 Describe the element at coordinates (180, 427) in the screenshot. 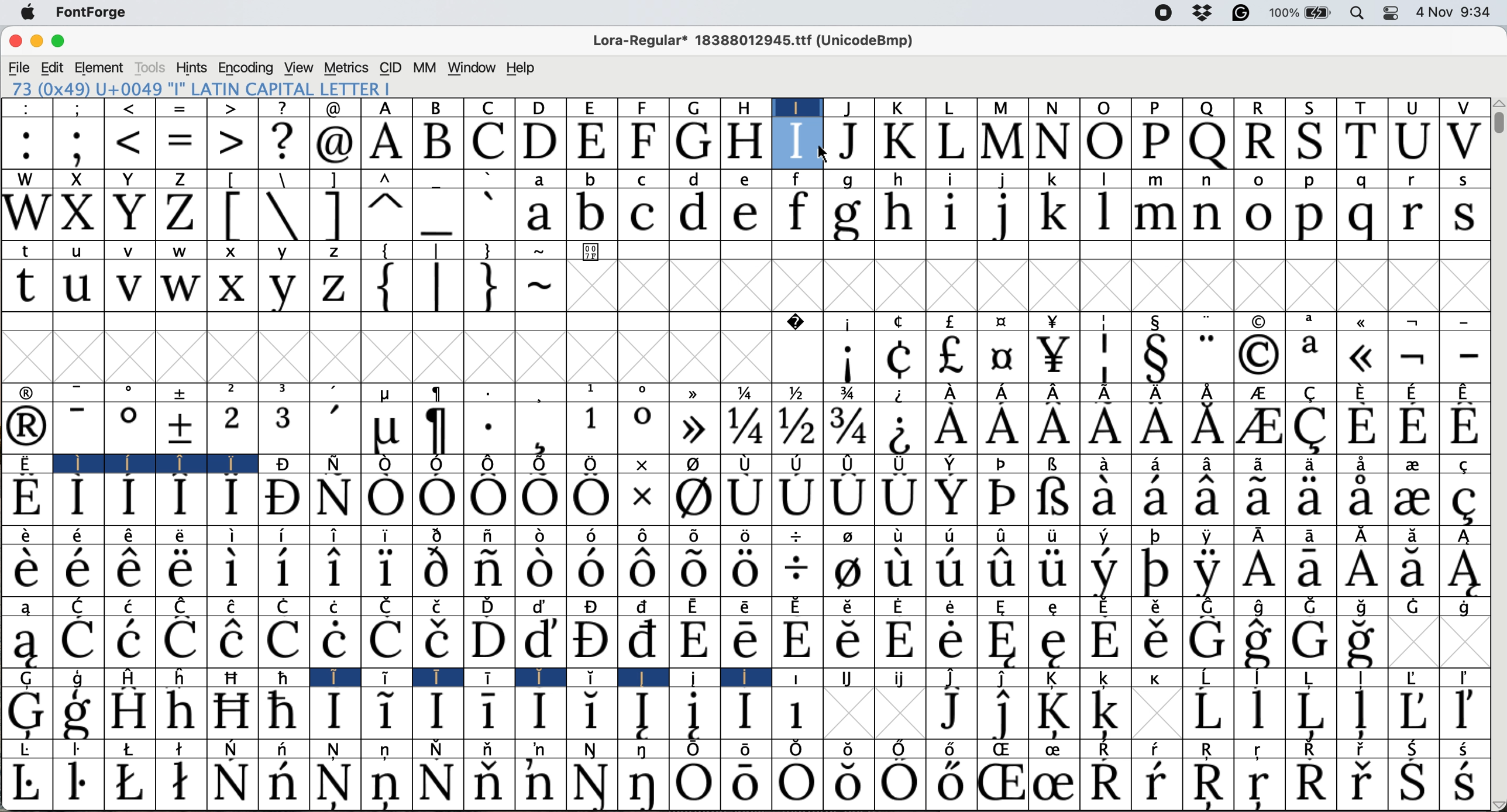

I see `Symbol` at that location.